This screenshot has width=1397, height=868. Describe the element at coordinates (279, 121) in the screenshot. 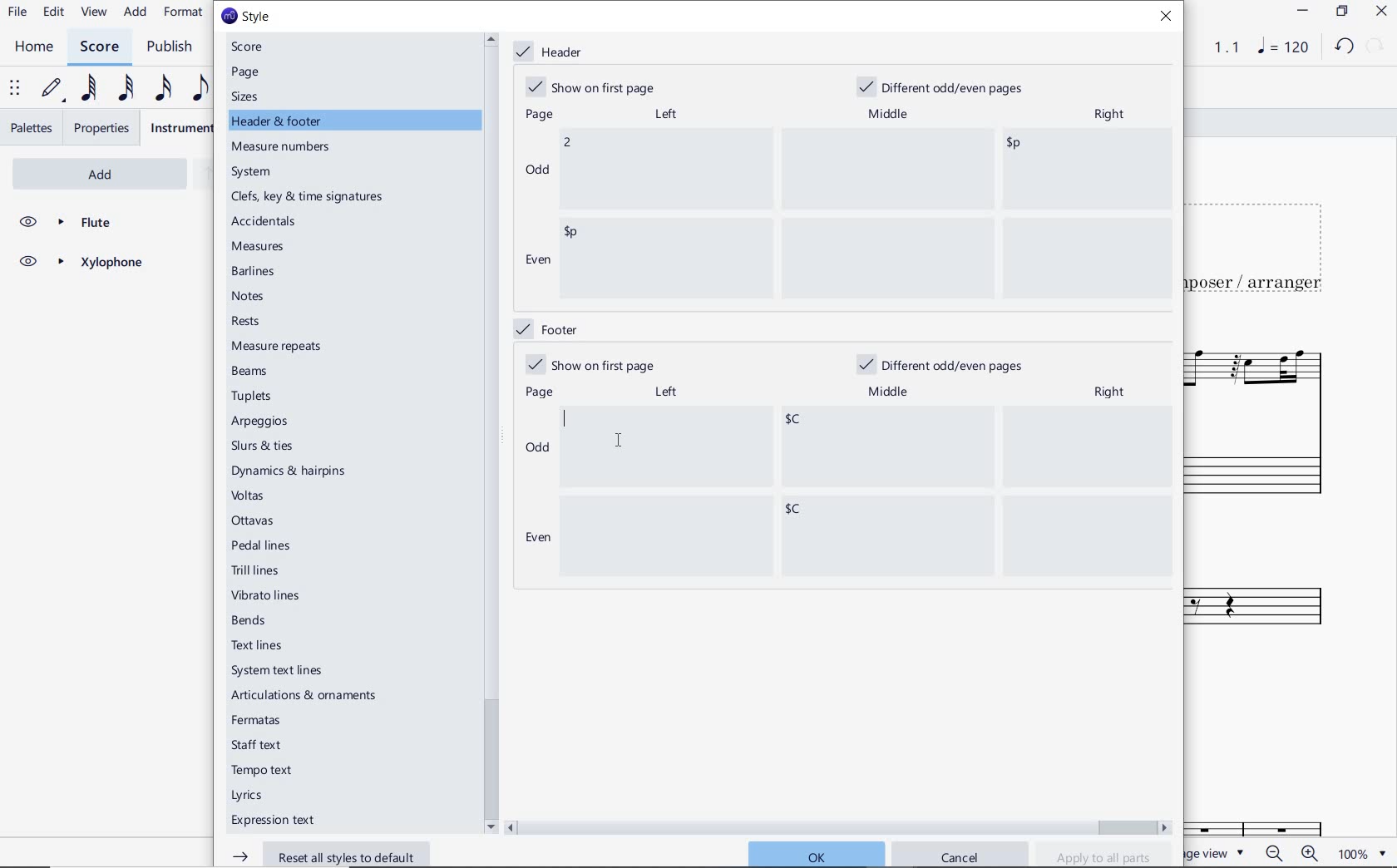

I see `header & footer` at that location.